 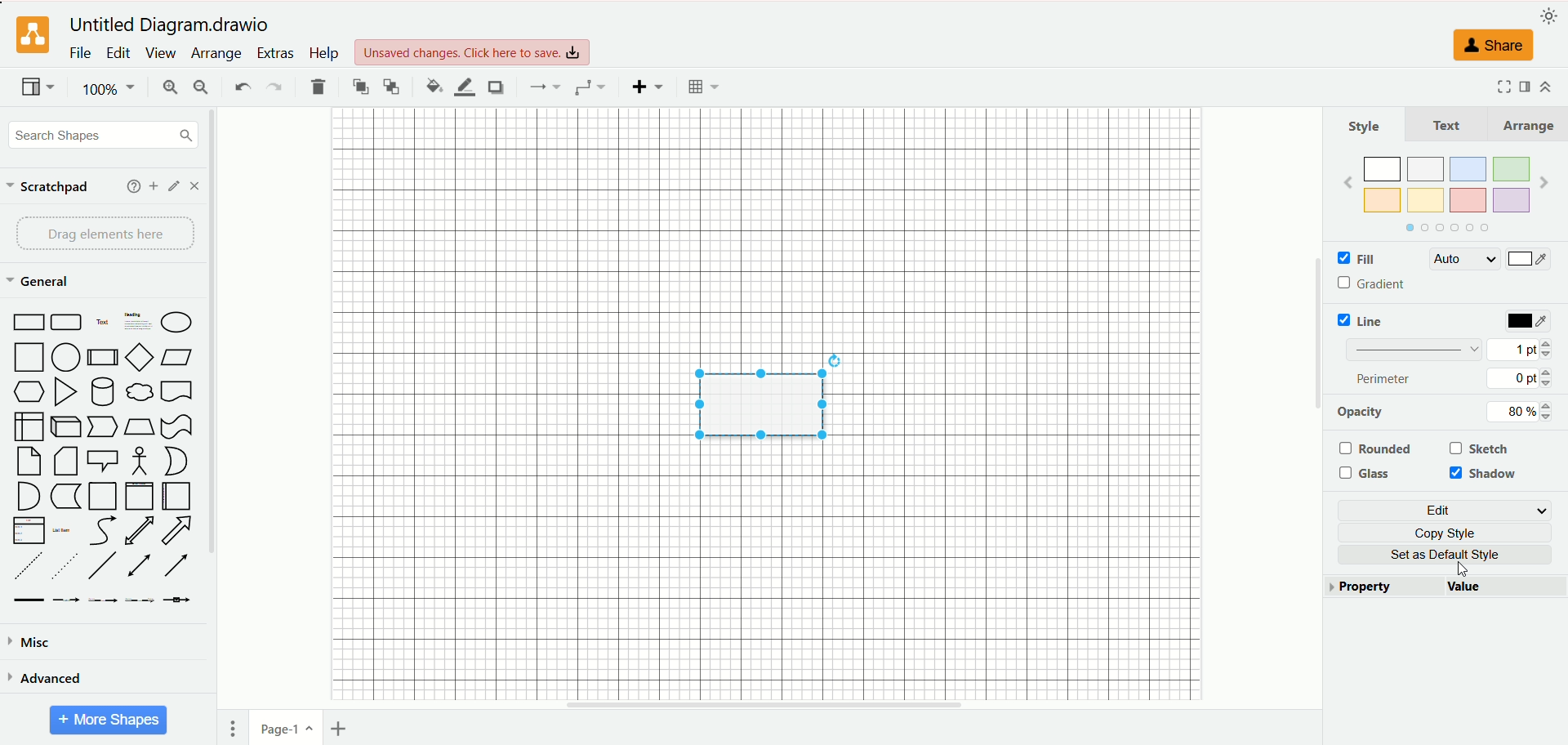 I want to click on table, so click(x=703, y=87).